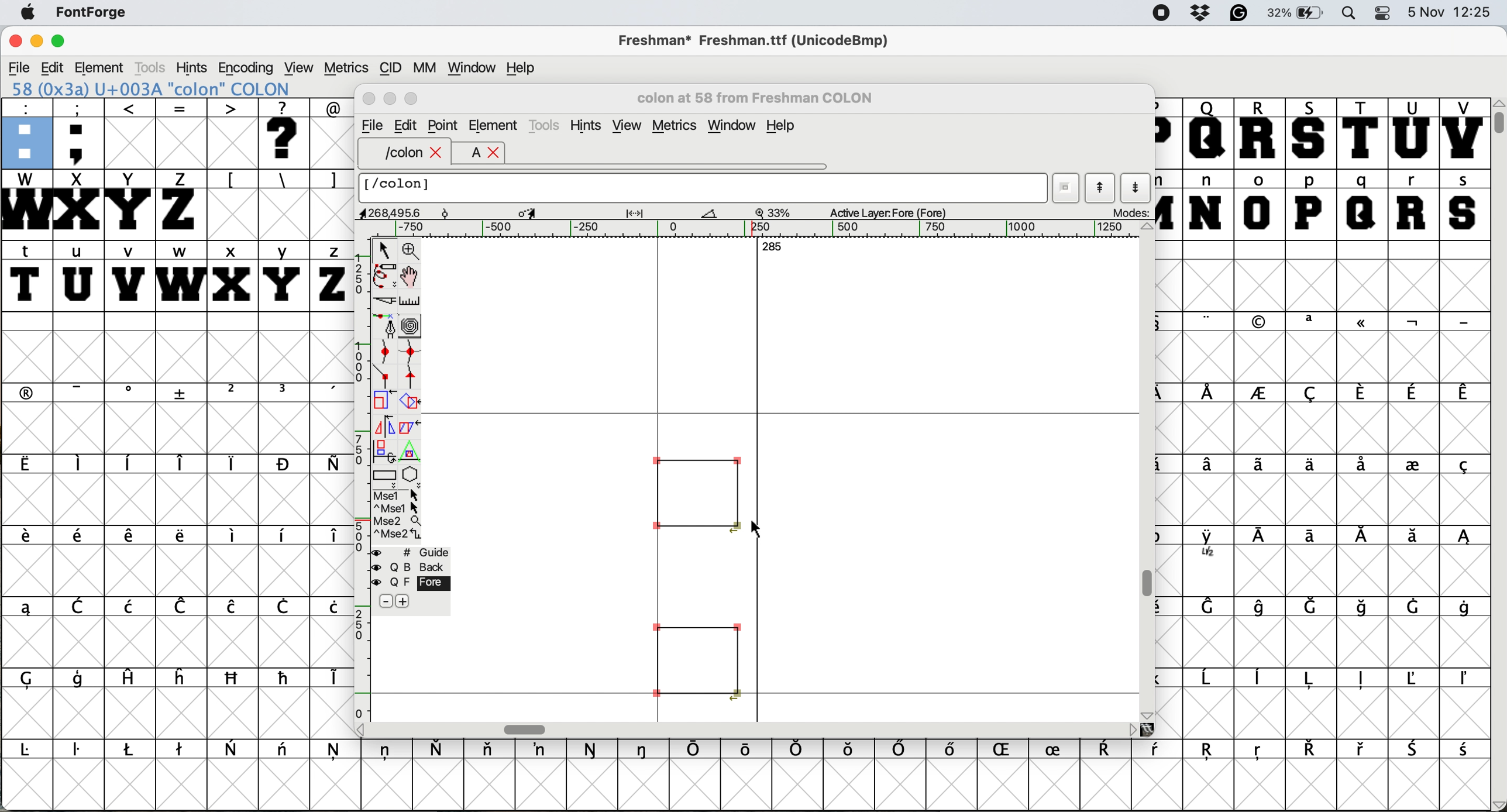 The image size is (1507, 812). What do you see at coordinates (546, 125) in the screenshot?
I see `tools` at bounding box center [546, 125].